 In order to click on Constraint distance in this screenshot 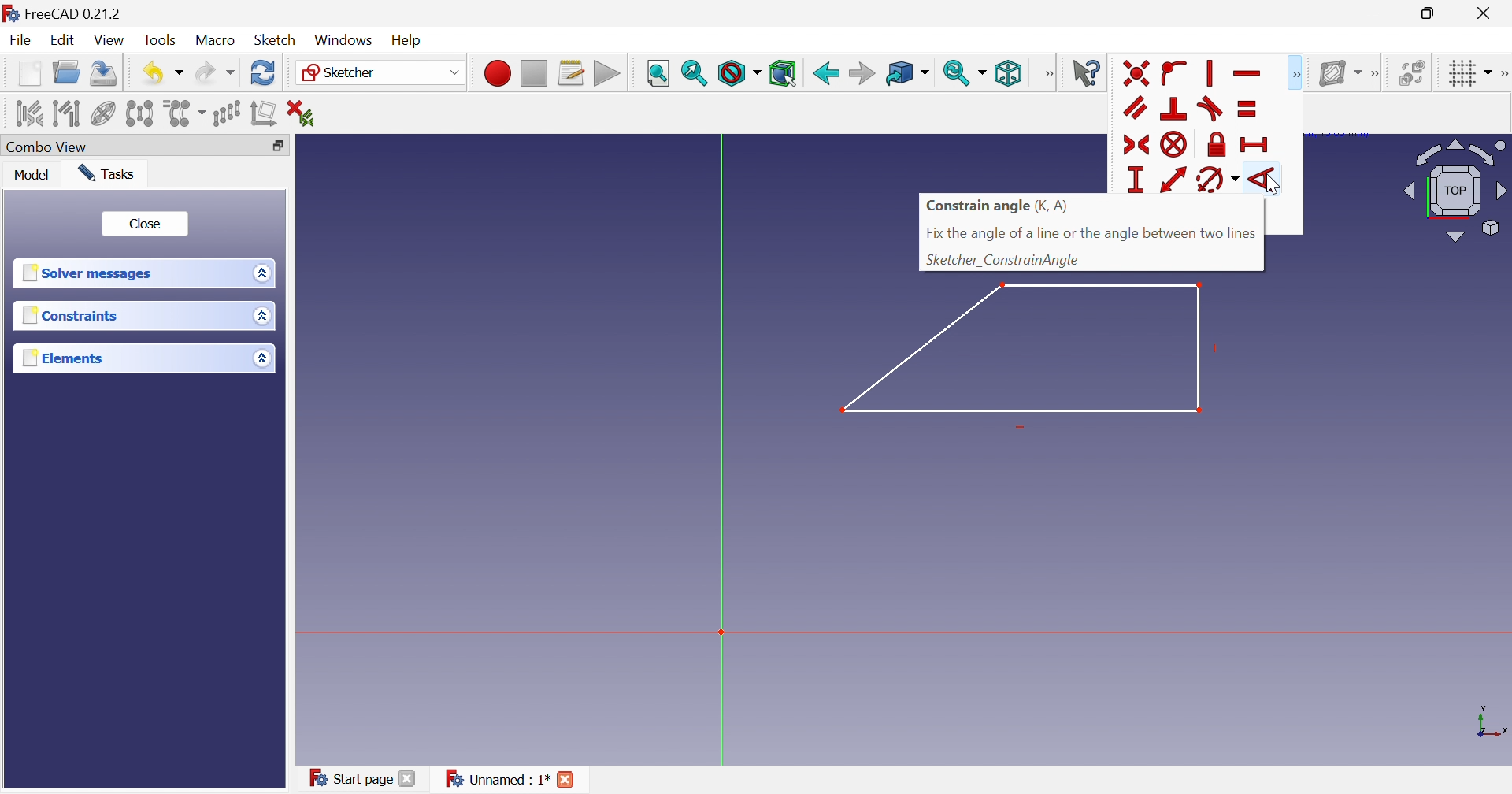, I will do `click(1174, 180)`.